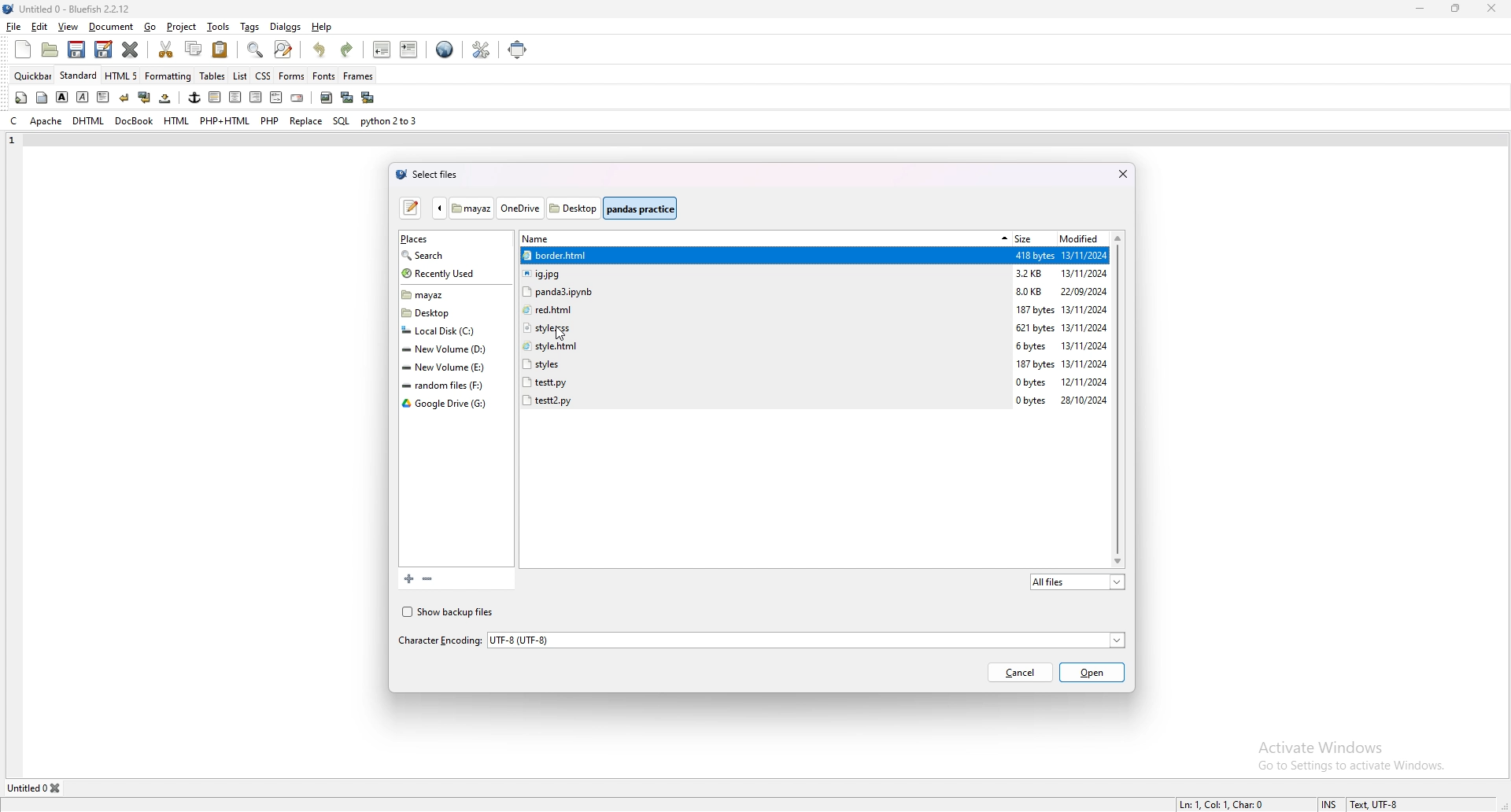 The width and height of the screenshot is (1511, 812). Describe the element at coordinates (350, 50) in the screenshot. I see `redo` at that location.